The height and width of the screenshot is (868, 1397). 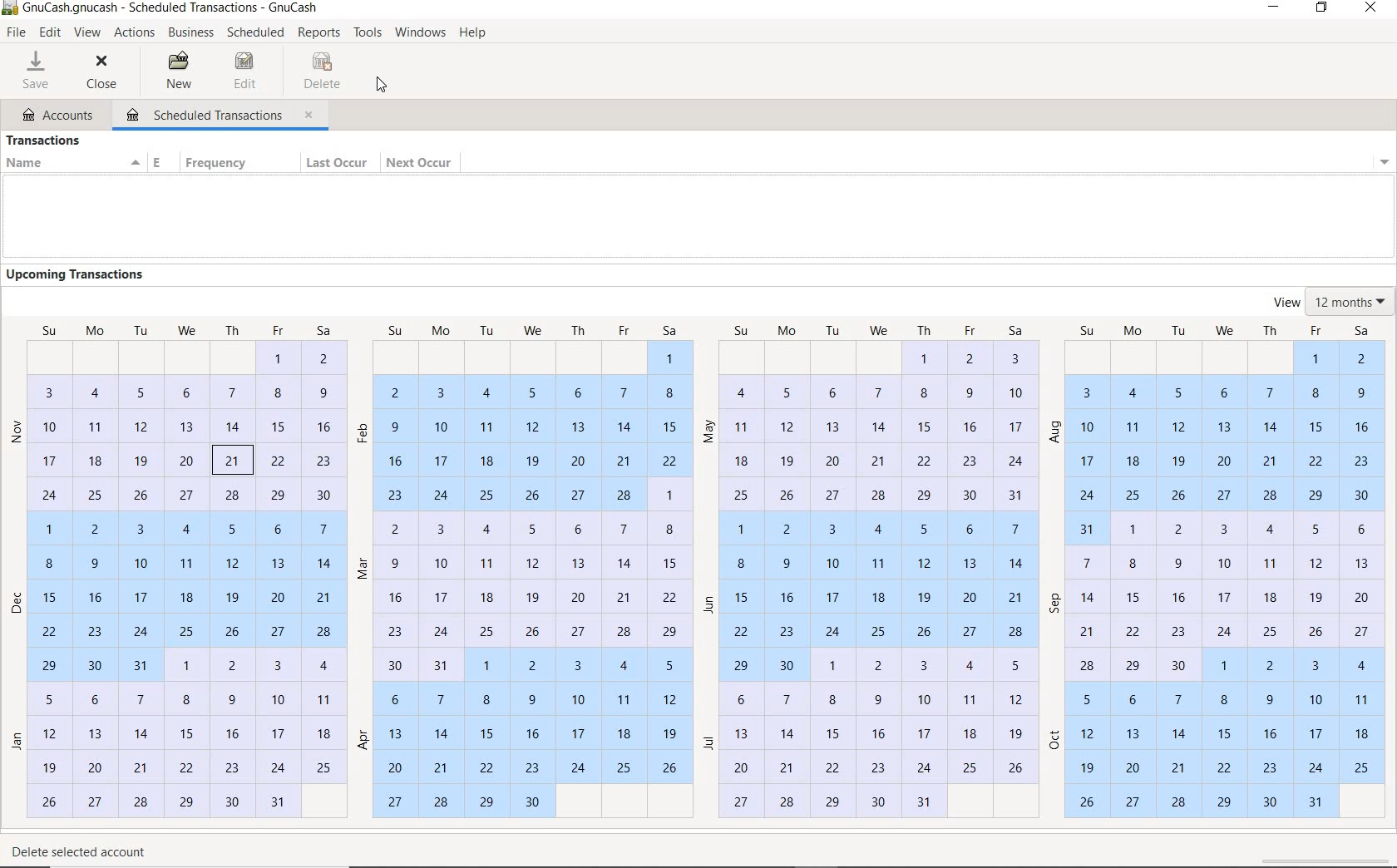 What do you see at coordinates (77, 275) in the screenshot?
I see `UPCOMING TRANSACTIONS` at bounding box center [77, 275].